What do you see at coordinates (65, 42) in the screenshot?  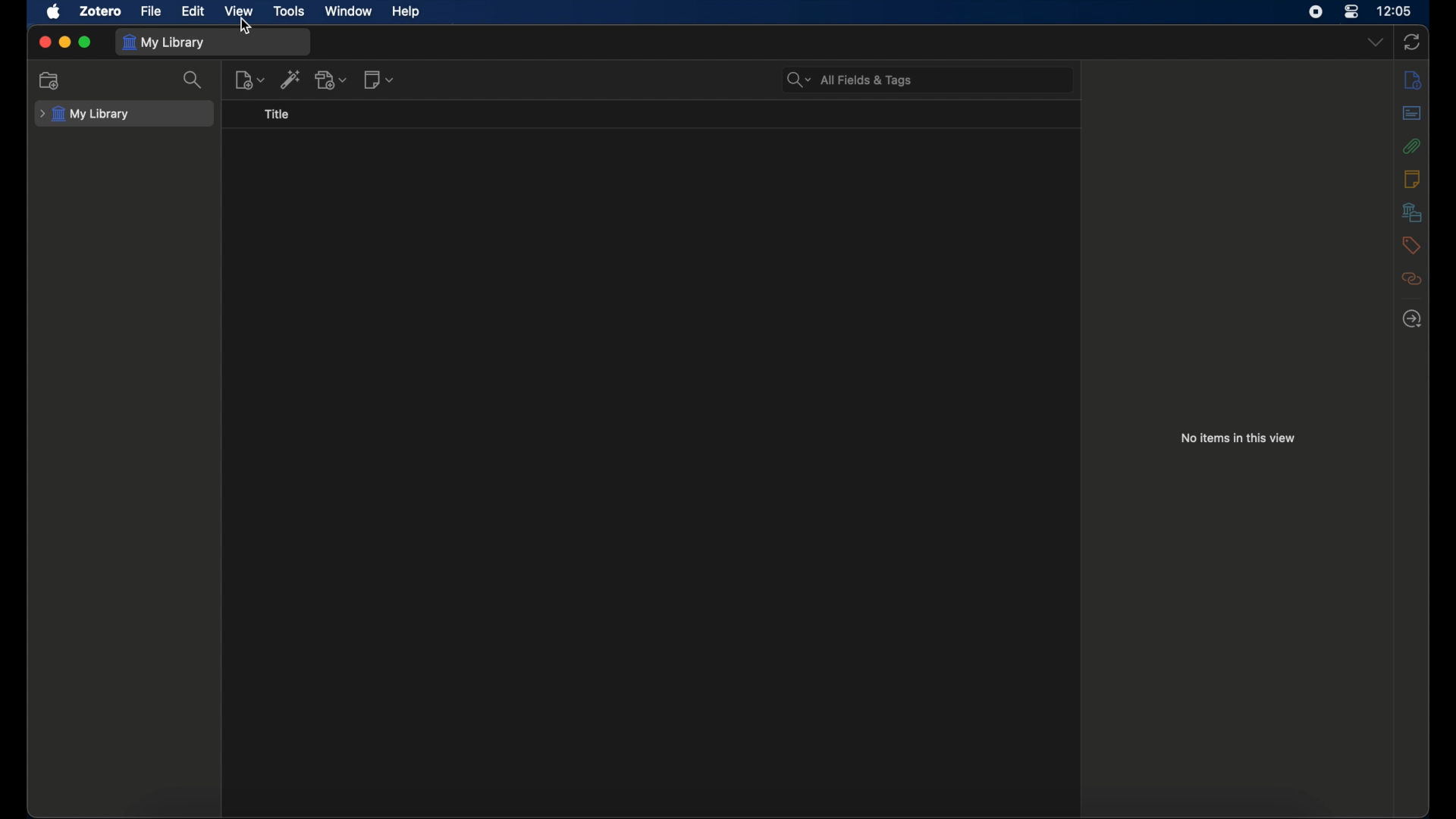 I see `minimize` at bounding box center [65, 42].